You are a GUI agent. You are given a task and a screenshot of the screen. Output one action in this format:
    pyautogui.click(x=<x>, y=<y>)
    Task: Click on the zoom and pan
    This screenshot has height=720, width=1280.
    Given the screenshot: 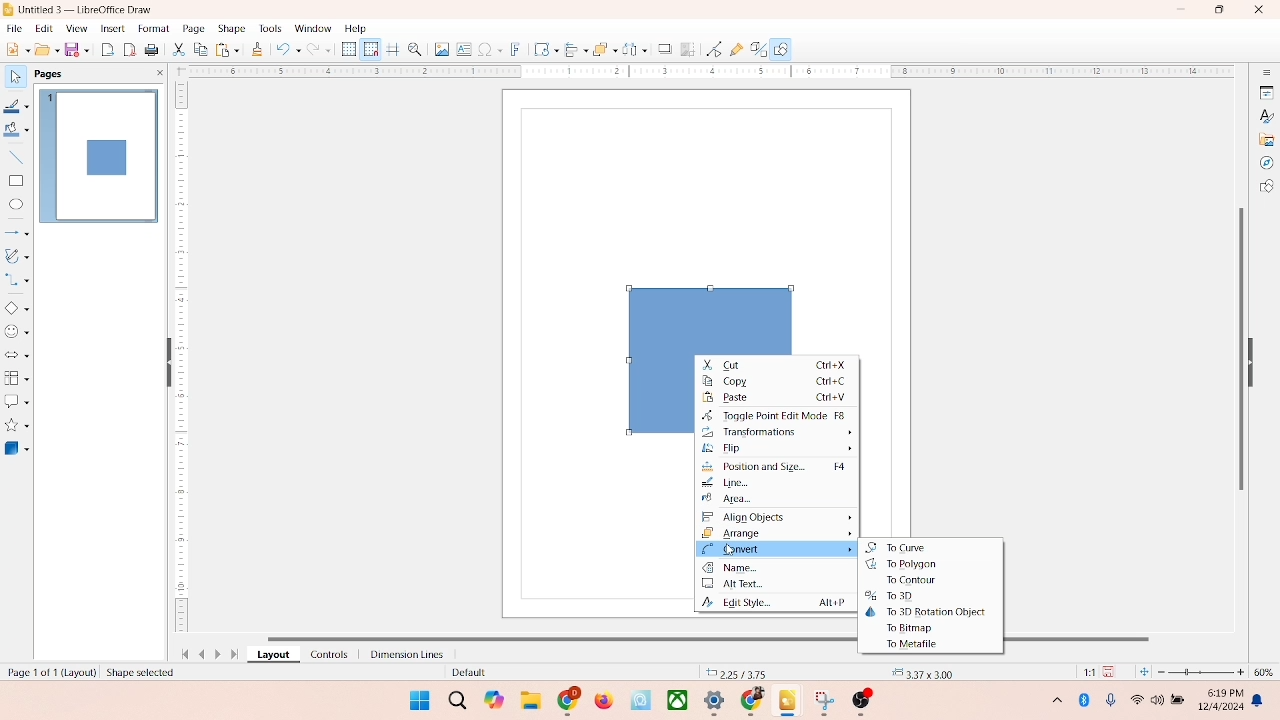 What is the action you would take?
    pyautogui.click(x=414, y=48)
    